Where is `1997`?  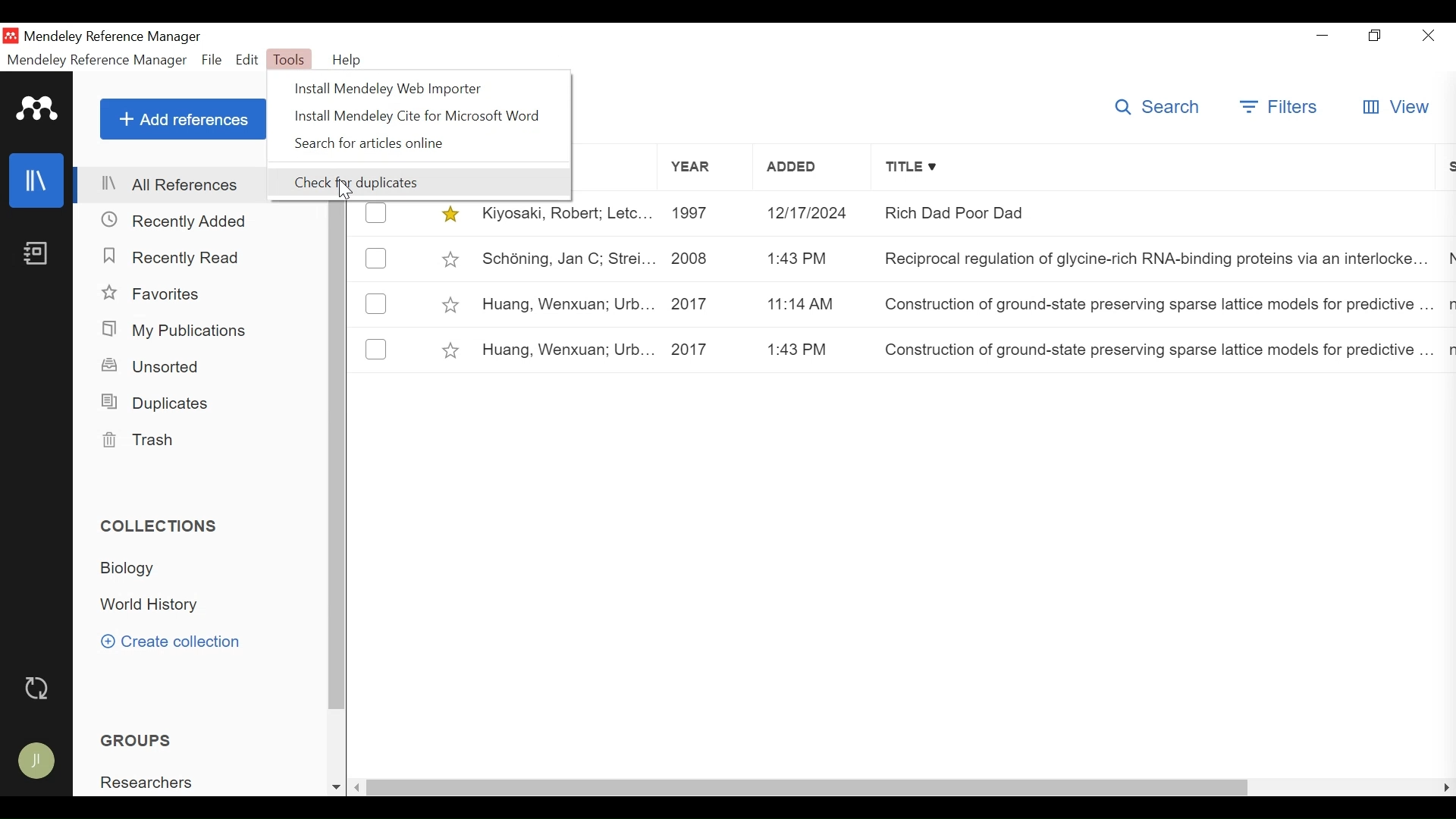 1997 is located at coordinates (708, 212).